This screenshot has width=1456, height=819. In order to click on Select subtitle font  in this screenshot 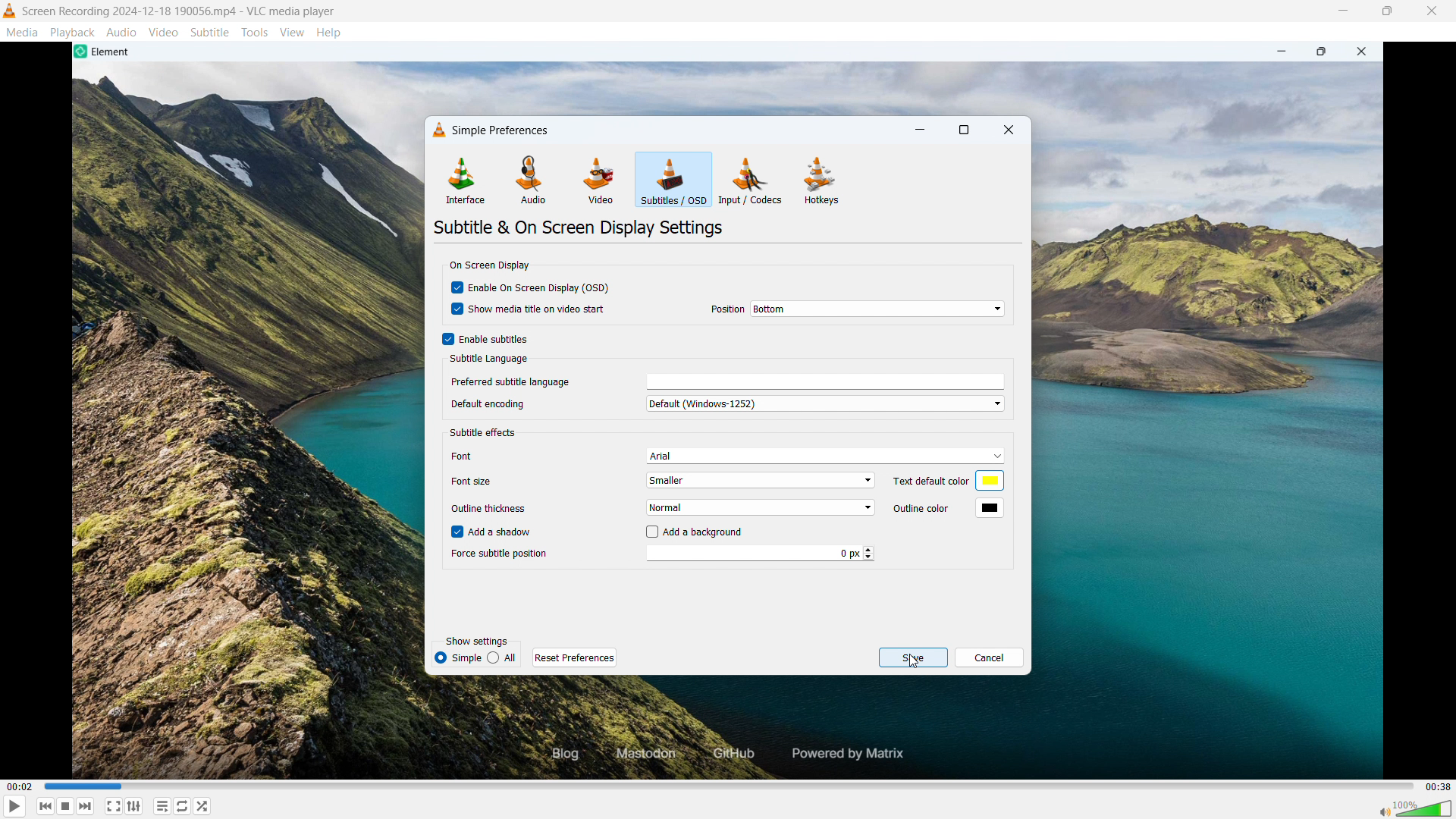, I will do `click(825, 456)`.